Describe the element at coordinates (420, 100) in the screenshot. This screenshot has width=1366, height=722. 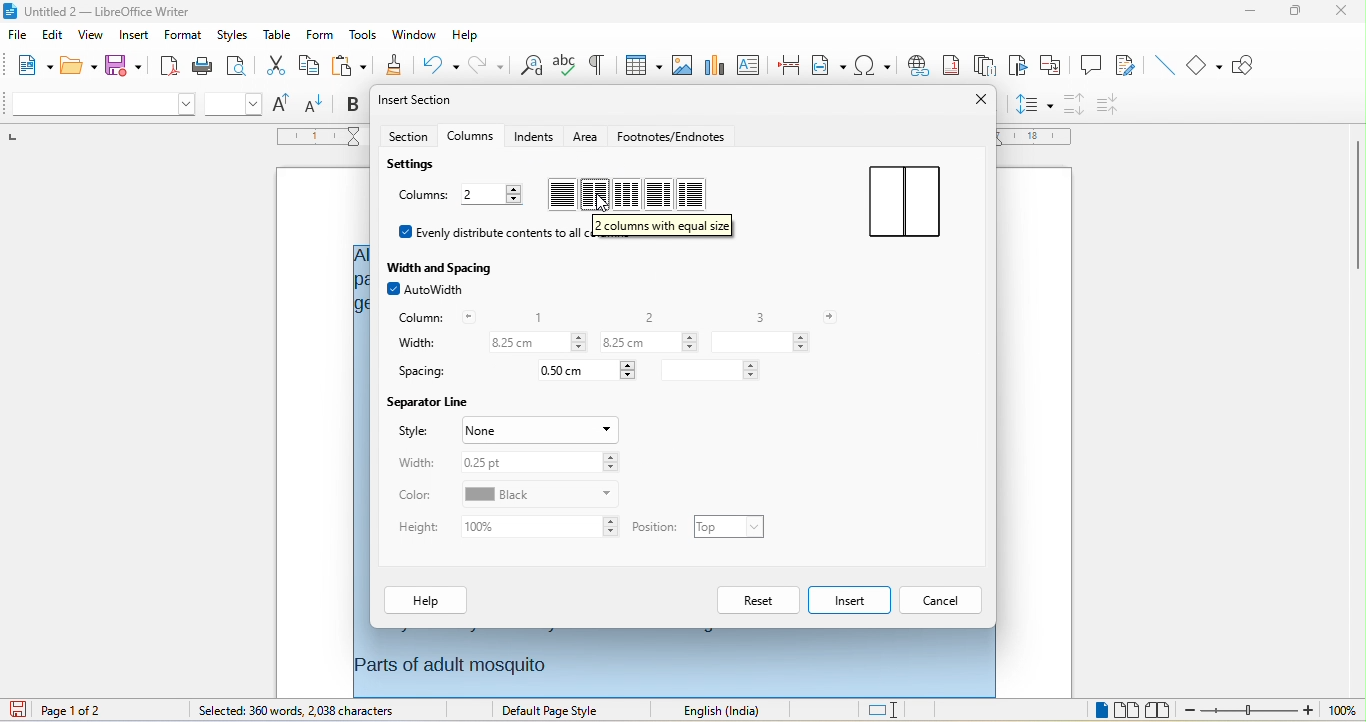
I see `insert section` at that location.